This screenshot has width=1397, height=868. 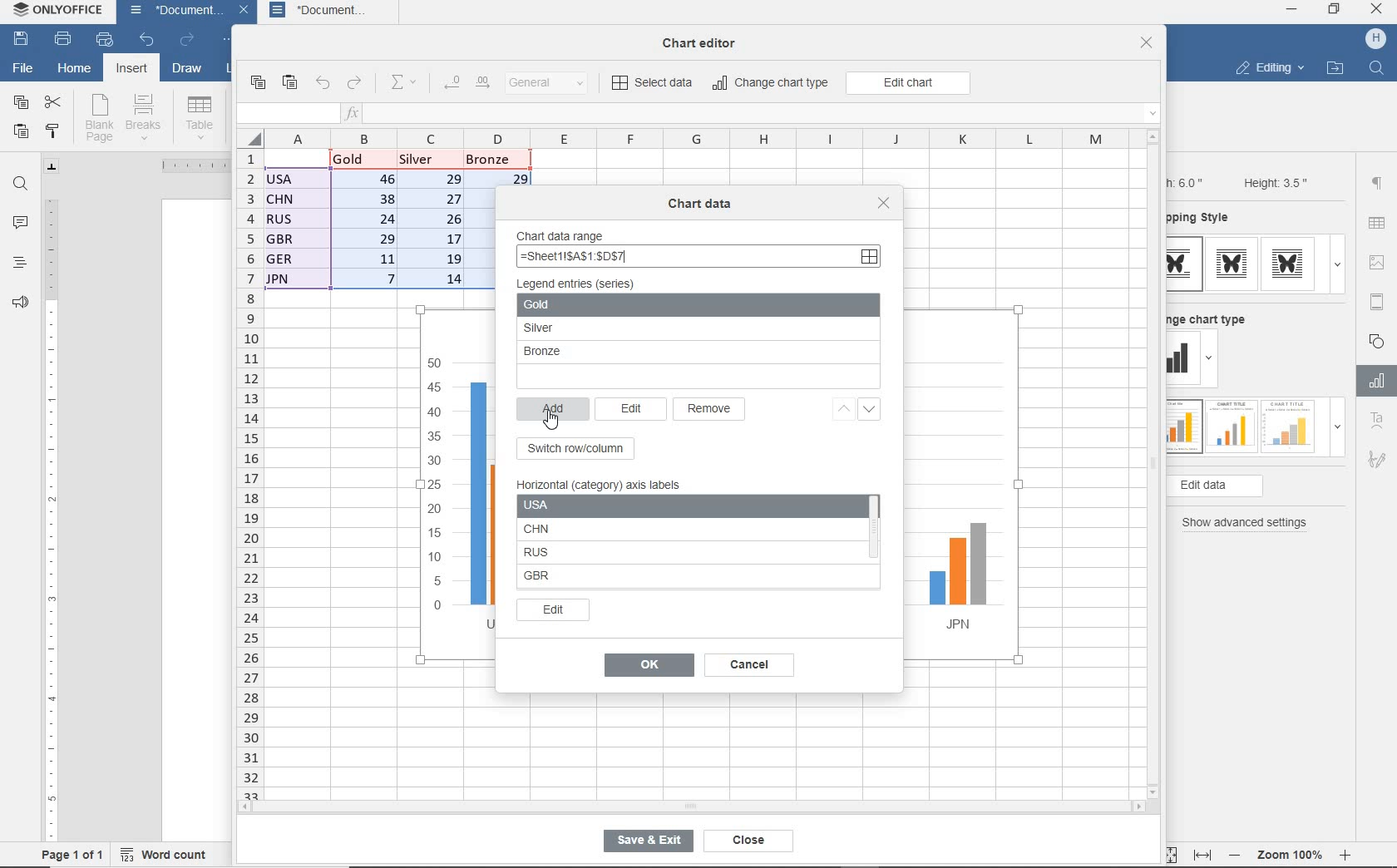 I want to click on Text Art Settings, so click(x=1375, y=422).